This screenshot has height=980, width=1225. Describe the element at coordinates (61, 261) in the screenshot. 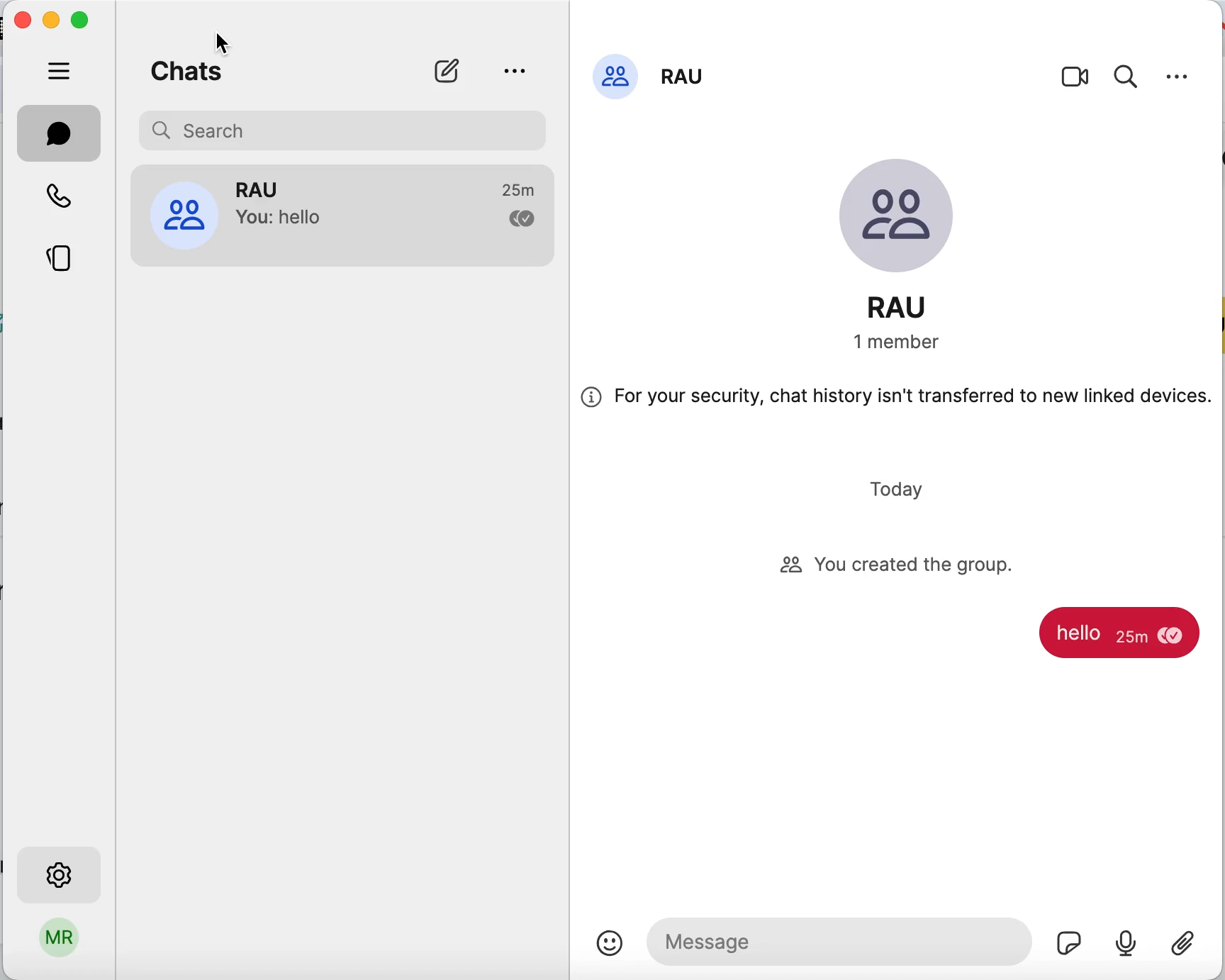

I see `stories` at that location.